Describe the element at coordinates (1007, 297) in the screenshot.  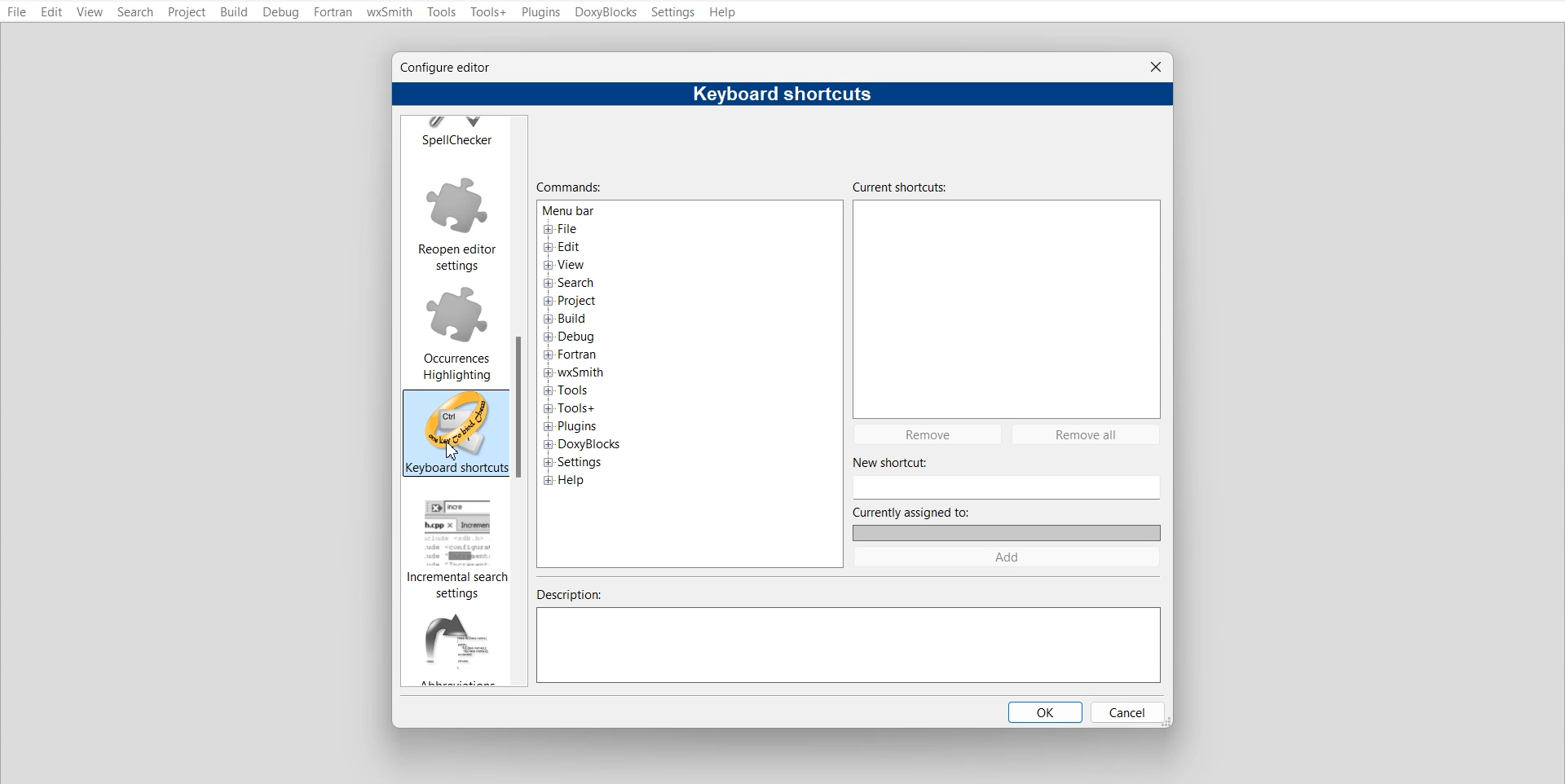
I see `Current shortcuts` at that location.